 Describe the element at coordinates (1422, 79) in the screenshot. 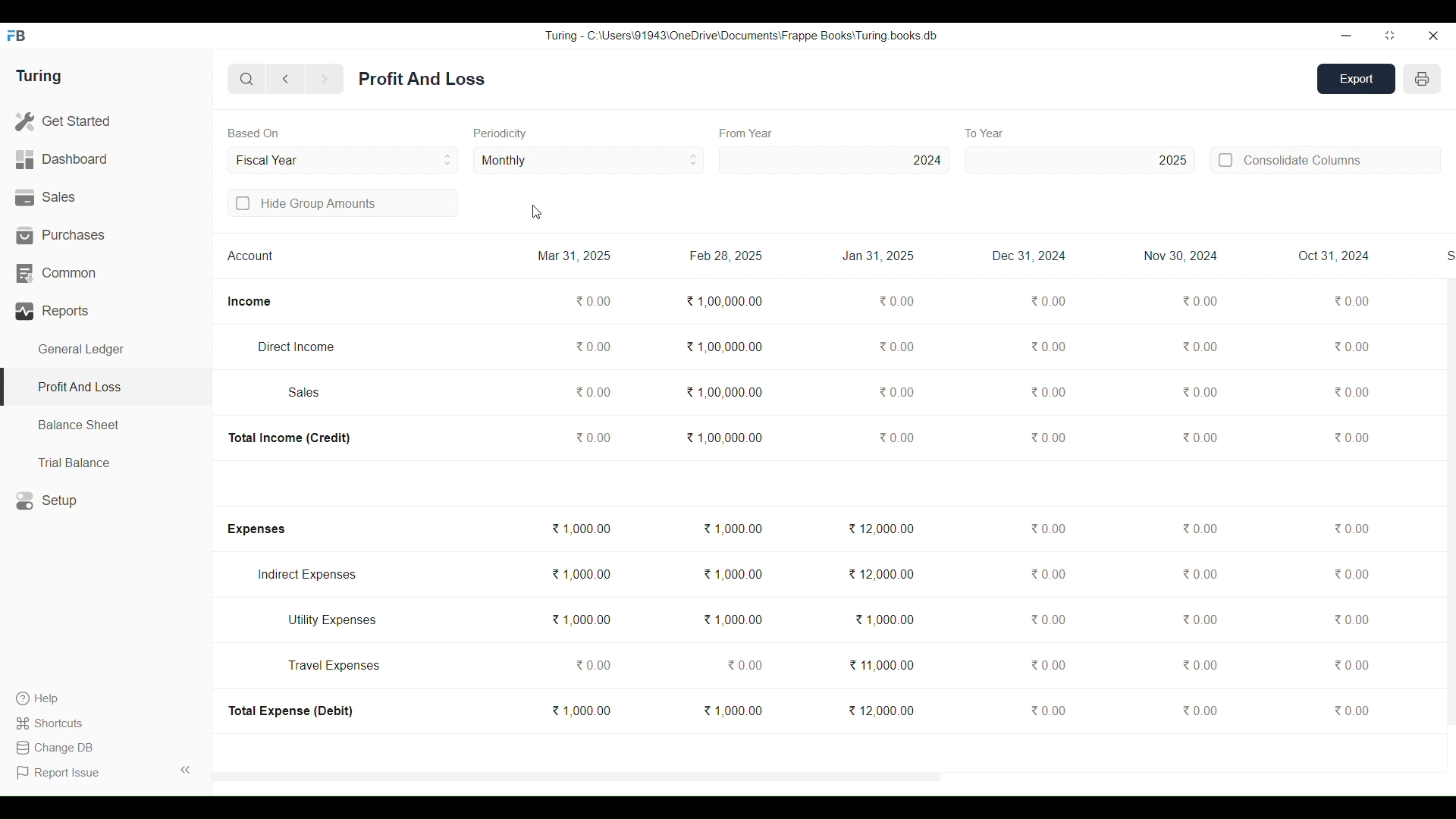

I see `Open report print view` at that location.